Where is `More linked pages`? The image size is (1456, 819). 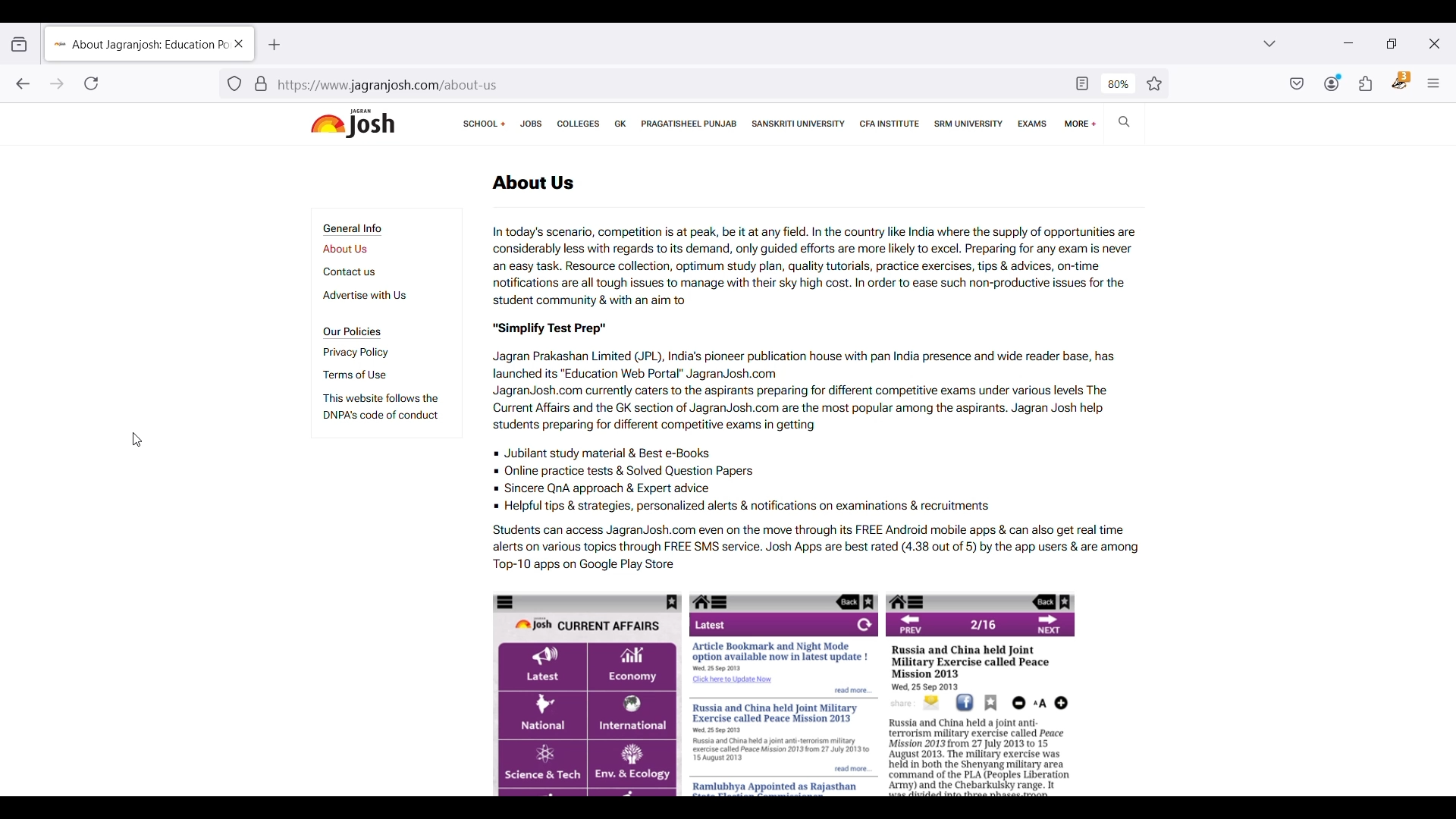
More linked pages is located at coordinates (1081, 124).